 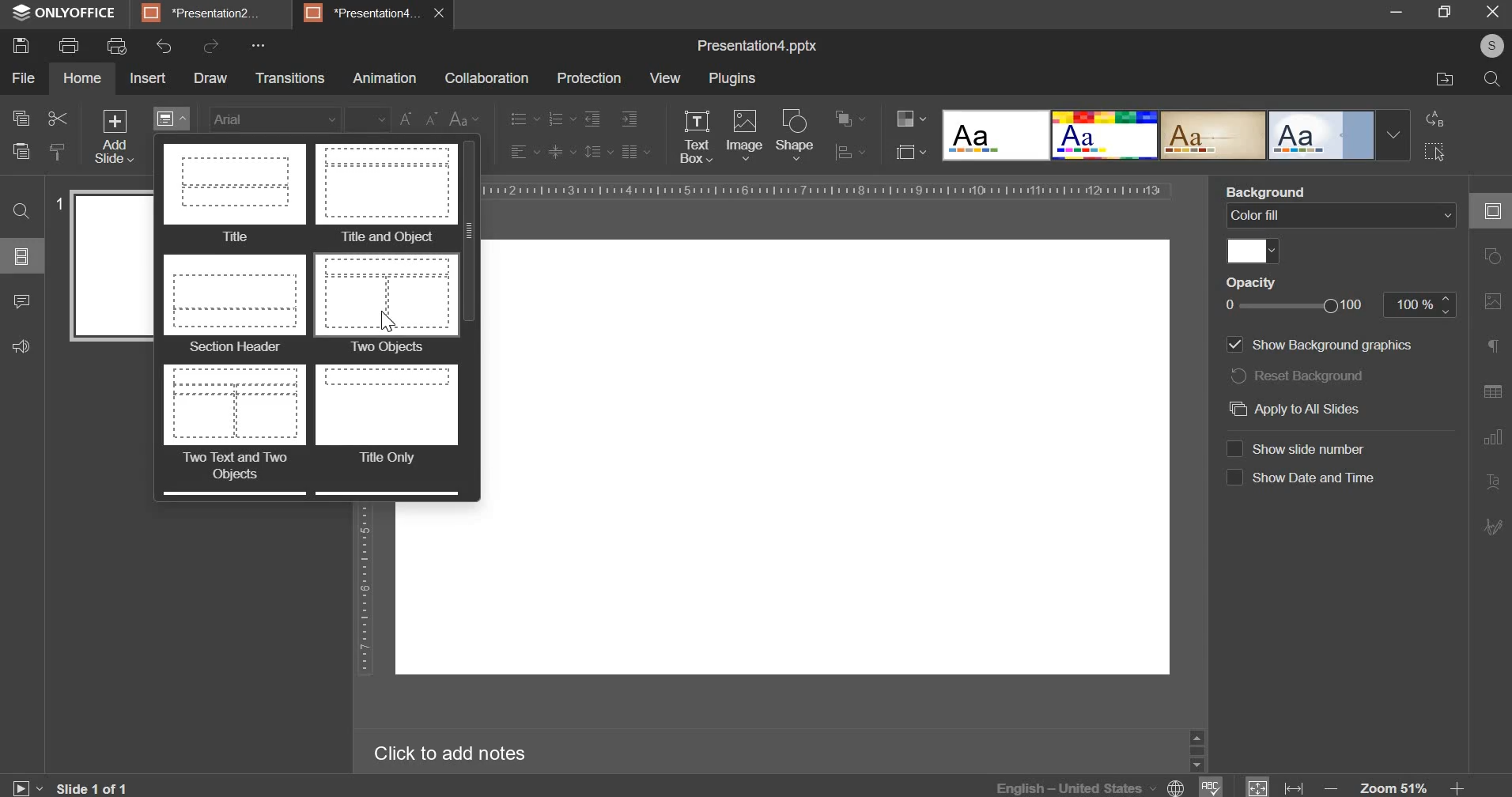 What do you see at coordinates (443, 754) in the screenshot?
I see `click to add notes` at bounding box center [443, 754].